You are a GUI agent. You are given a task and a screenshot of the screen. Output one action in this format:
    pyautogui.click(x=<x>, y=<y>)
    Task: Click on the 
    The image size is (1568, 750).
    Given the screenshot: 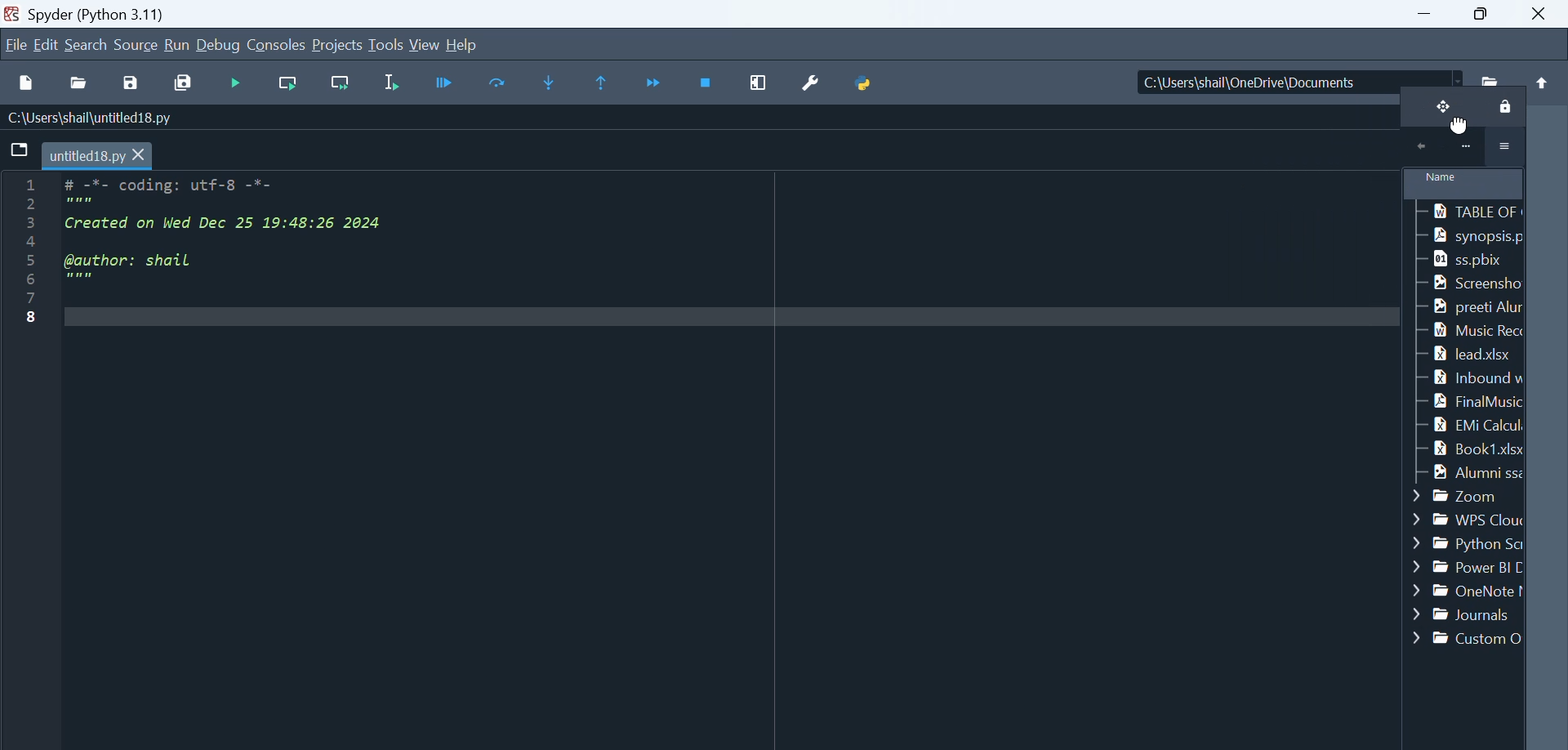 What is the action you would take?
    pyautogui.click(x=339, y=46)
    